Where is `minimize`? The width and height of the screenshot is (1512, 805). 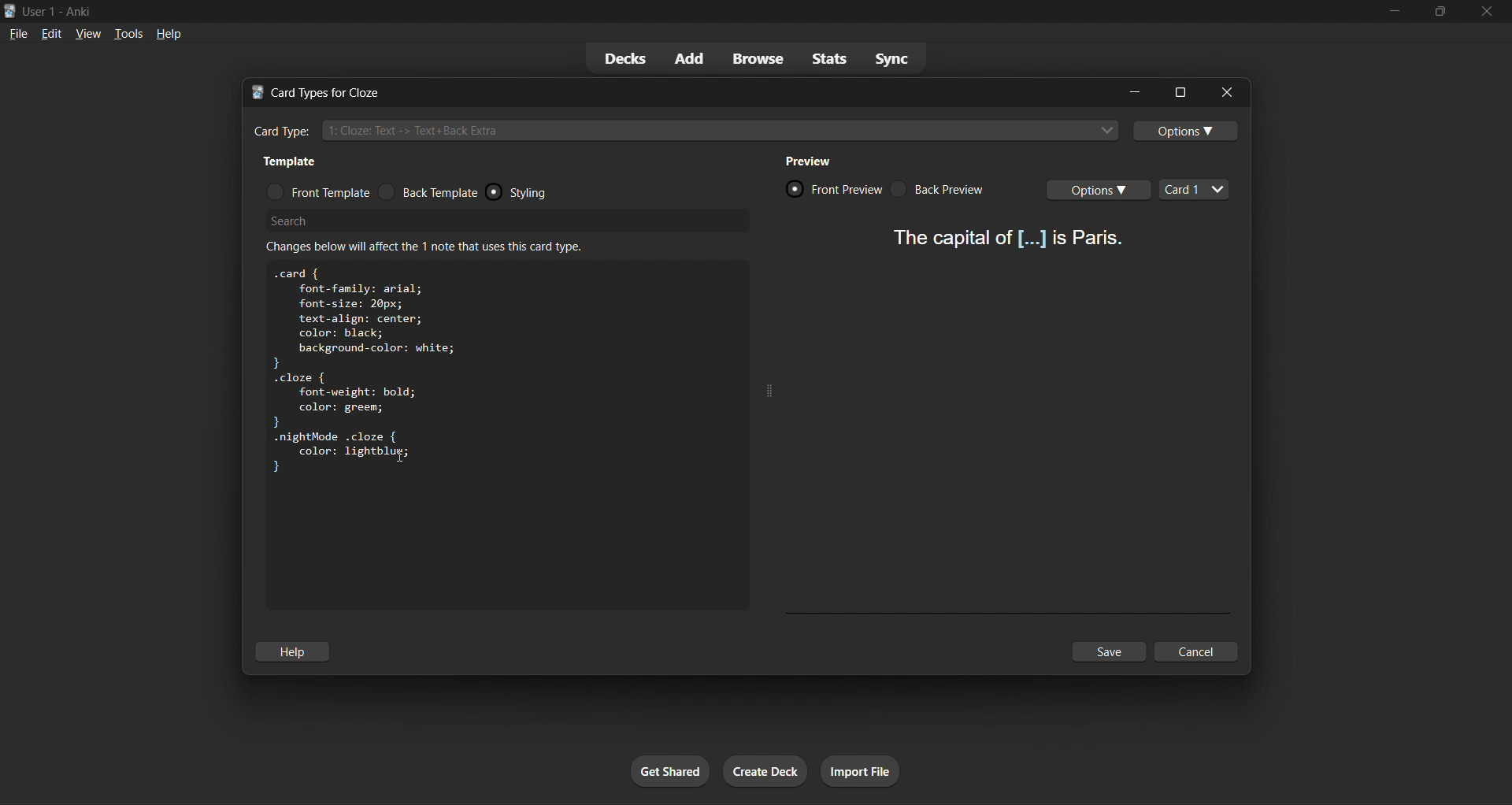
minimize is located at coordinates (1398, 12).